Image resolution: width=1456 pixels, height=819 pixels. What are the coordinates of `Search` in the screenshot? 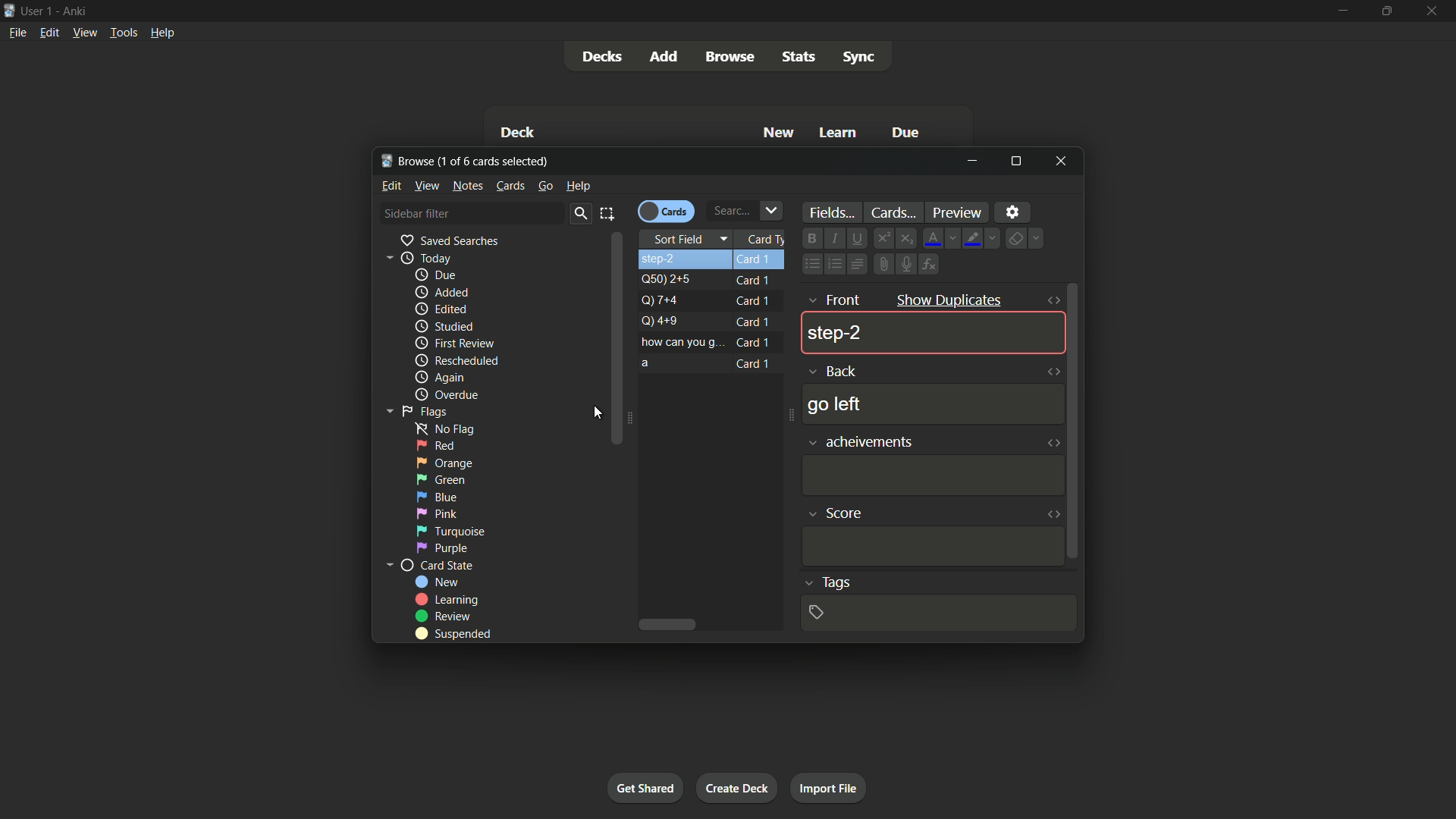 It's located at (579, 214).